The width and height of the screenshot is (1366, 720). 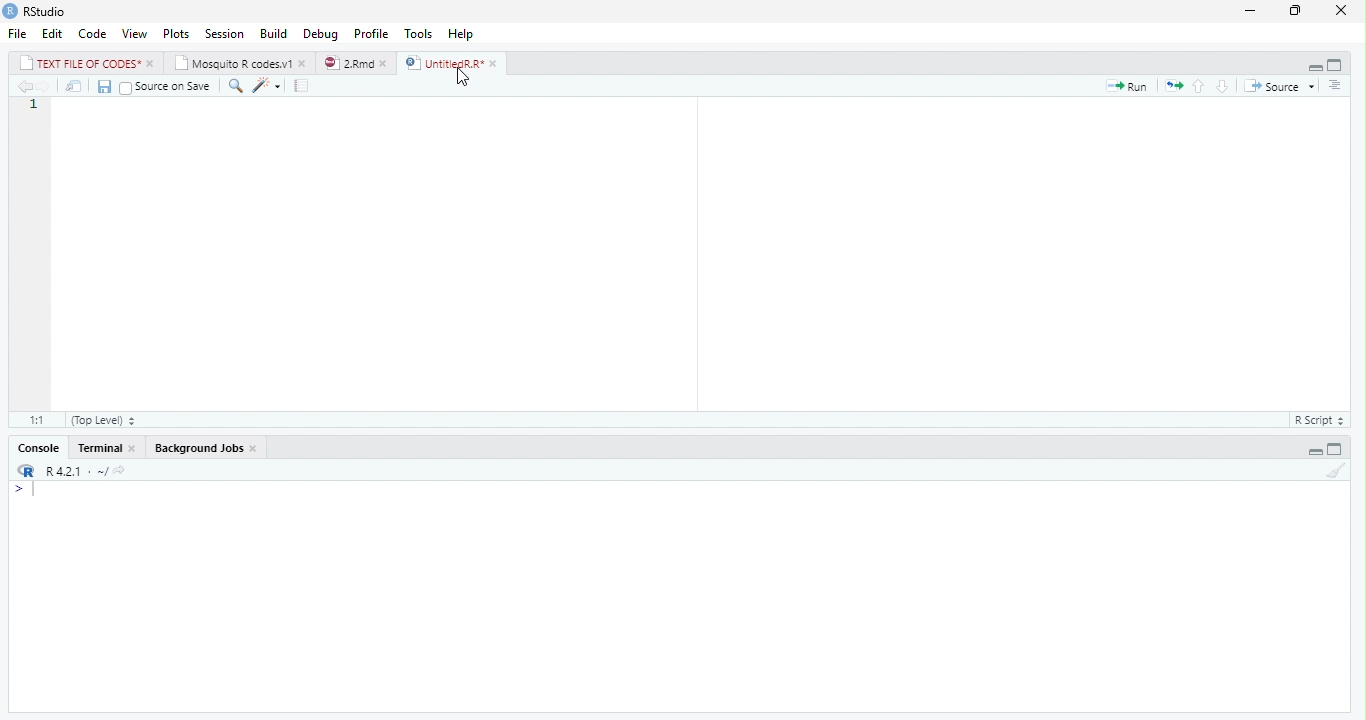 I want to click on Line number, so click(x=35, y=253).